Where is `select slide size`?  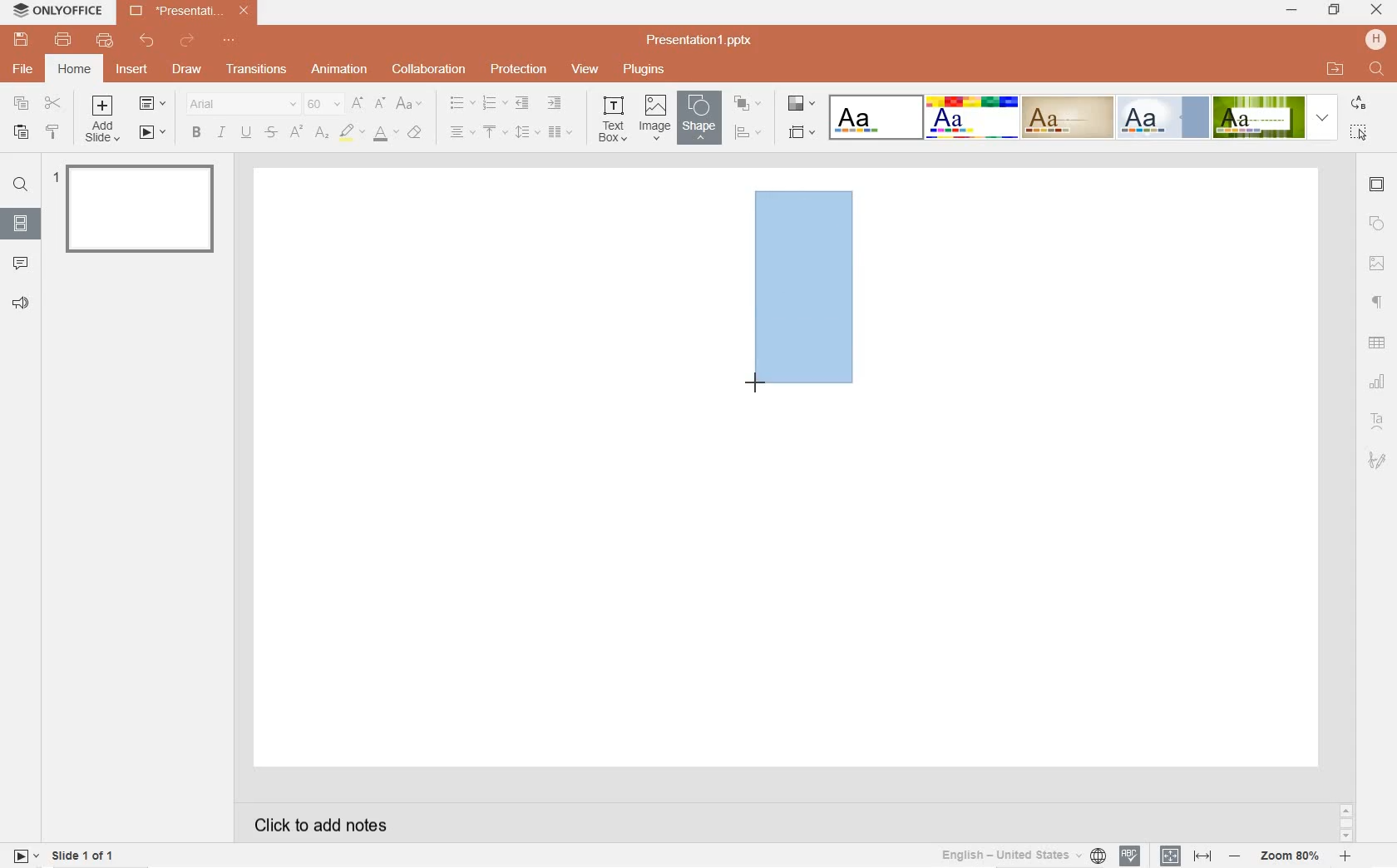 select slide size is located at coordinates (800, 133).